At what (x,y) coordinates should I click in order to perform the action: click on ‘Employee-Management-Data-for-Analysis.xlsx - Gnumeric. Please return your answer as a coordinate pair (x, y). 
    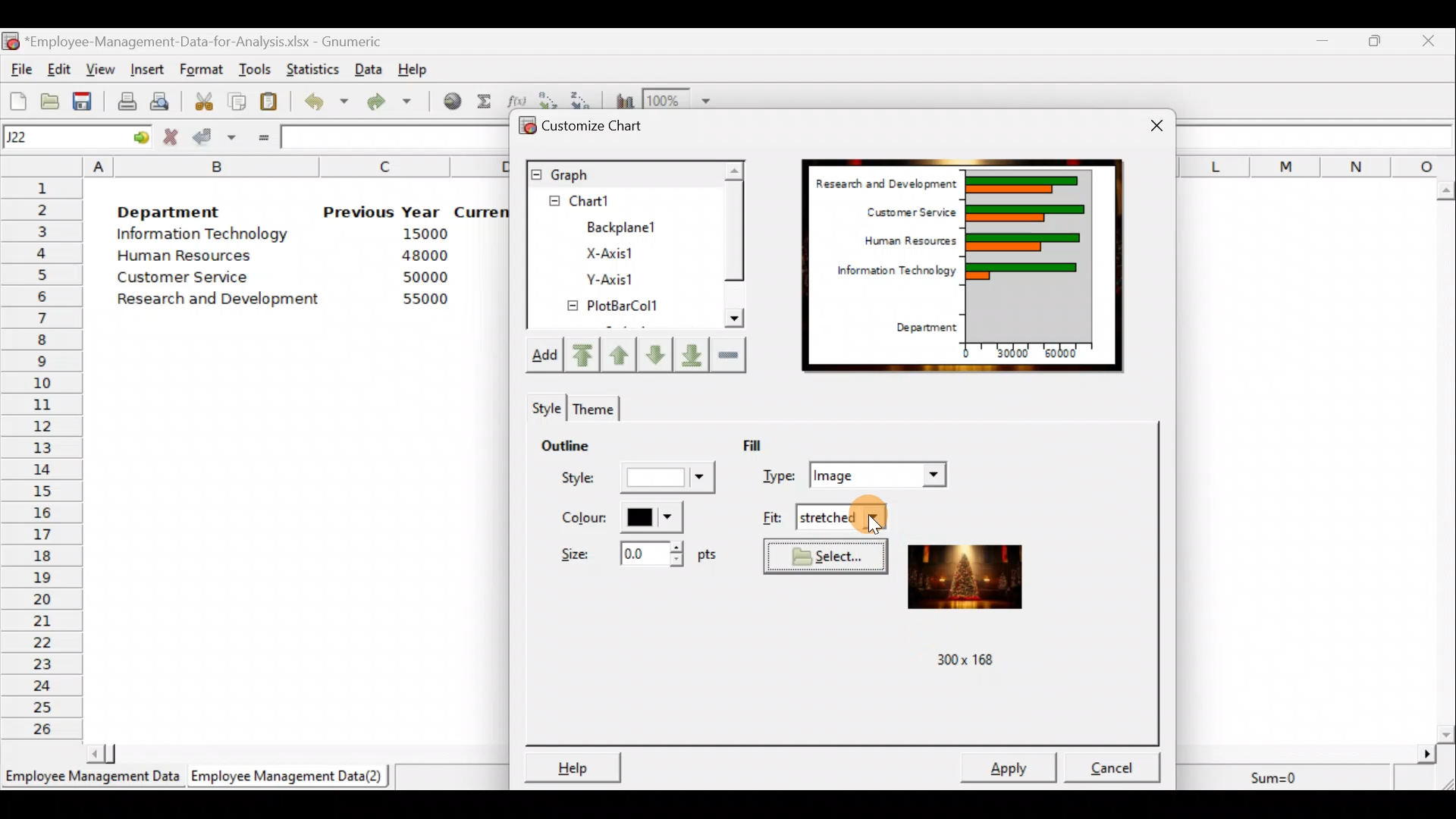
    Looking at the image, I should click on (219, 42).